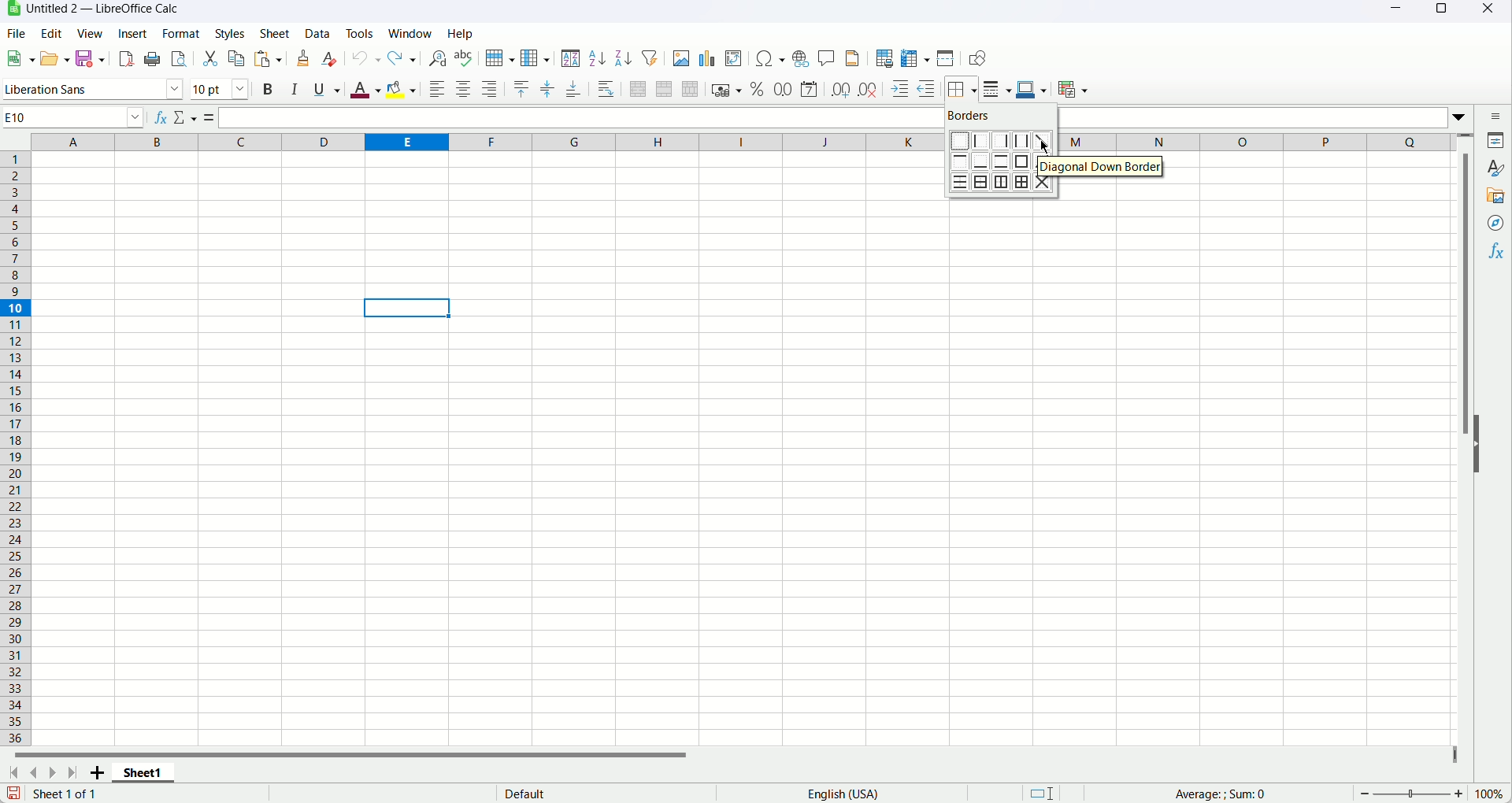 The height and width of the screenshot is (803, 1512). Describe the element at coordinates (1495, 198) in the screenshot. I see `Gallery` at that location.